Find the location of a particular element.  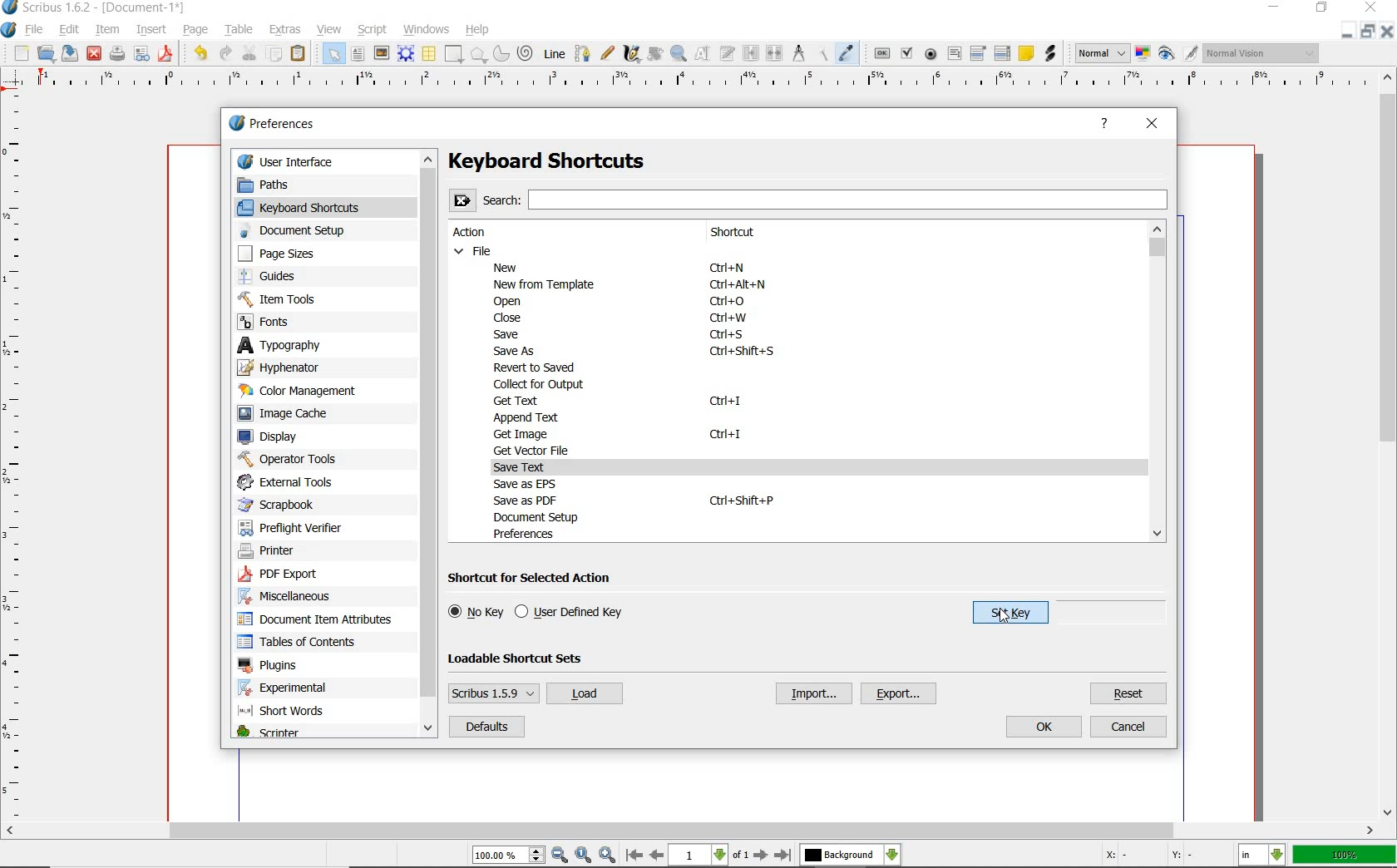

user interface is located at coordinates (326, 160).